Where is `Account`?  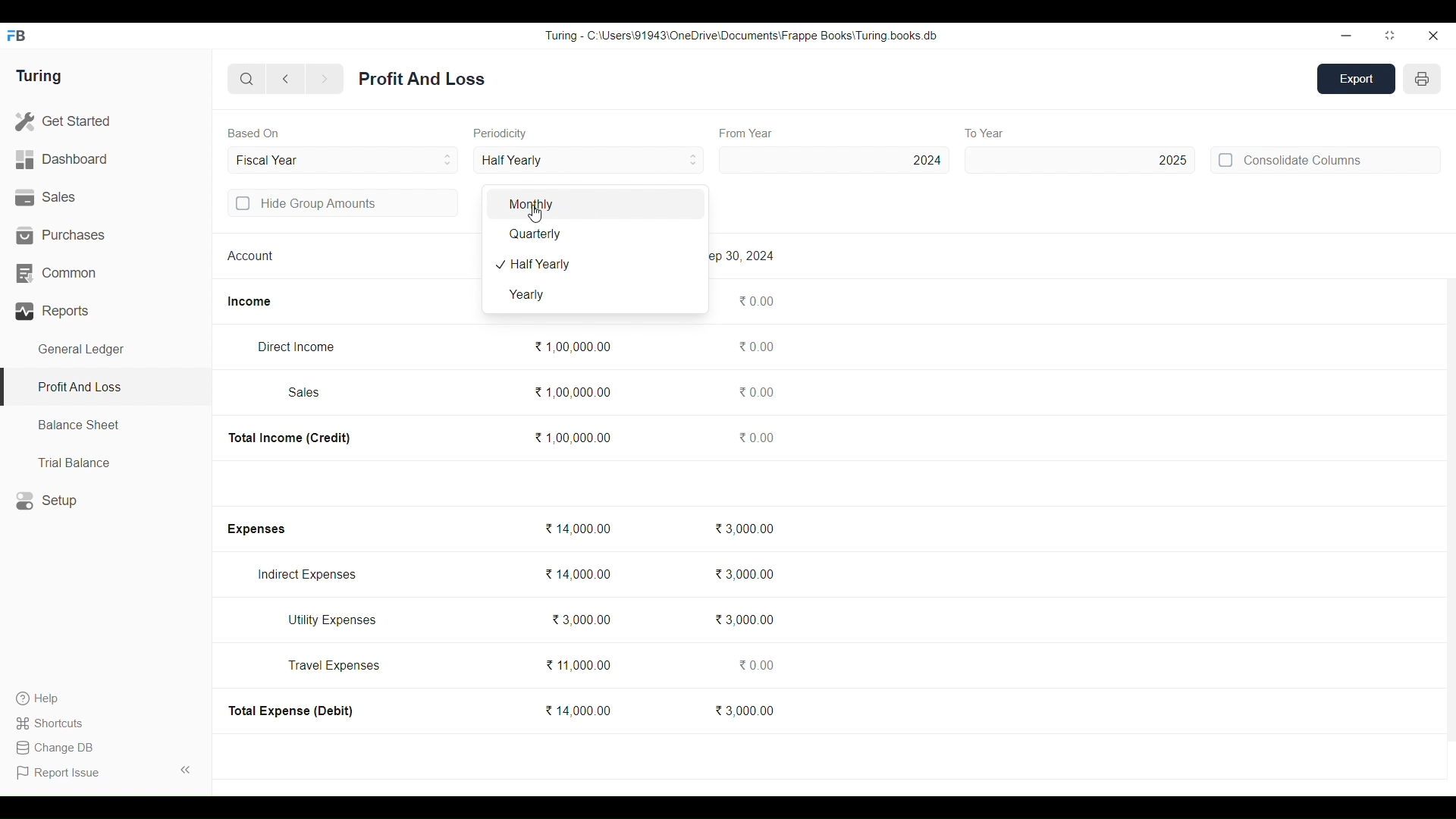 Account is located at coordinates (251, 255).